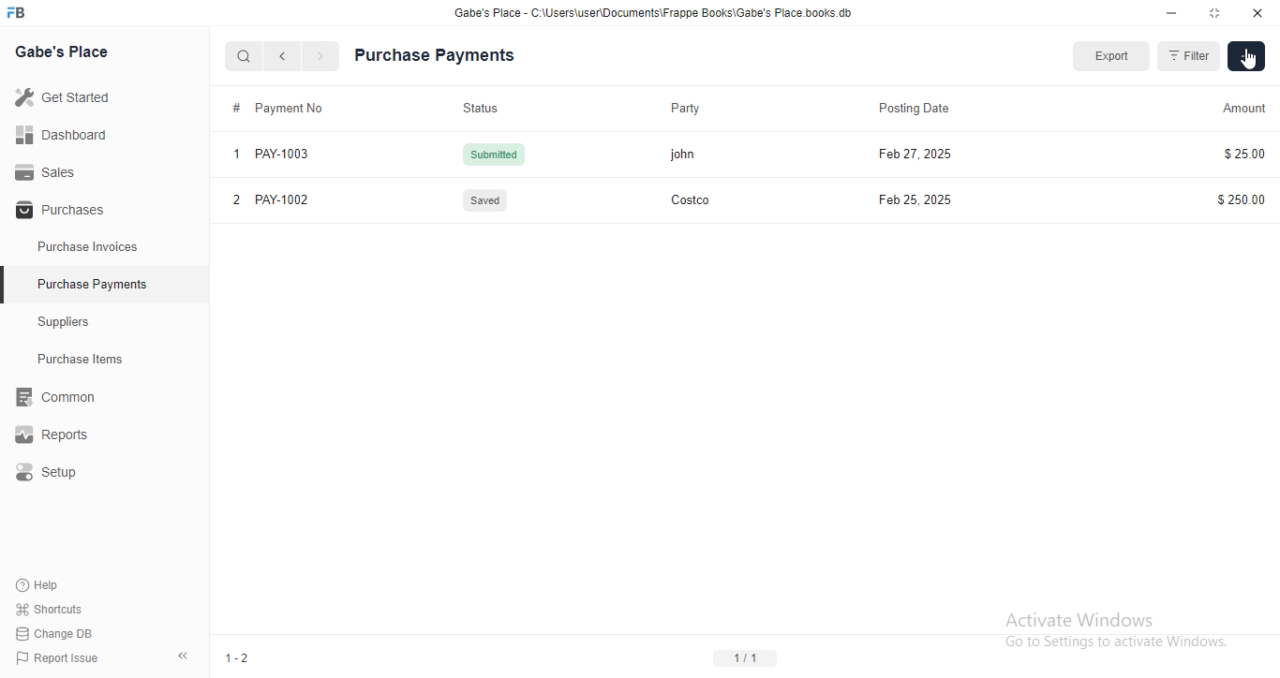 This screenshot has width=1280, height=678. I want to click on Add , so click(1246, 57).